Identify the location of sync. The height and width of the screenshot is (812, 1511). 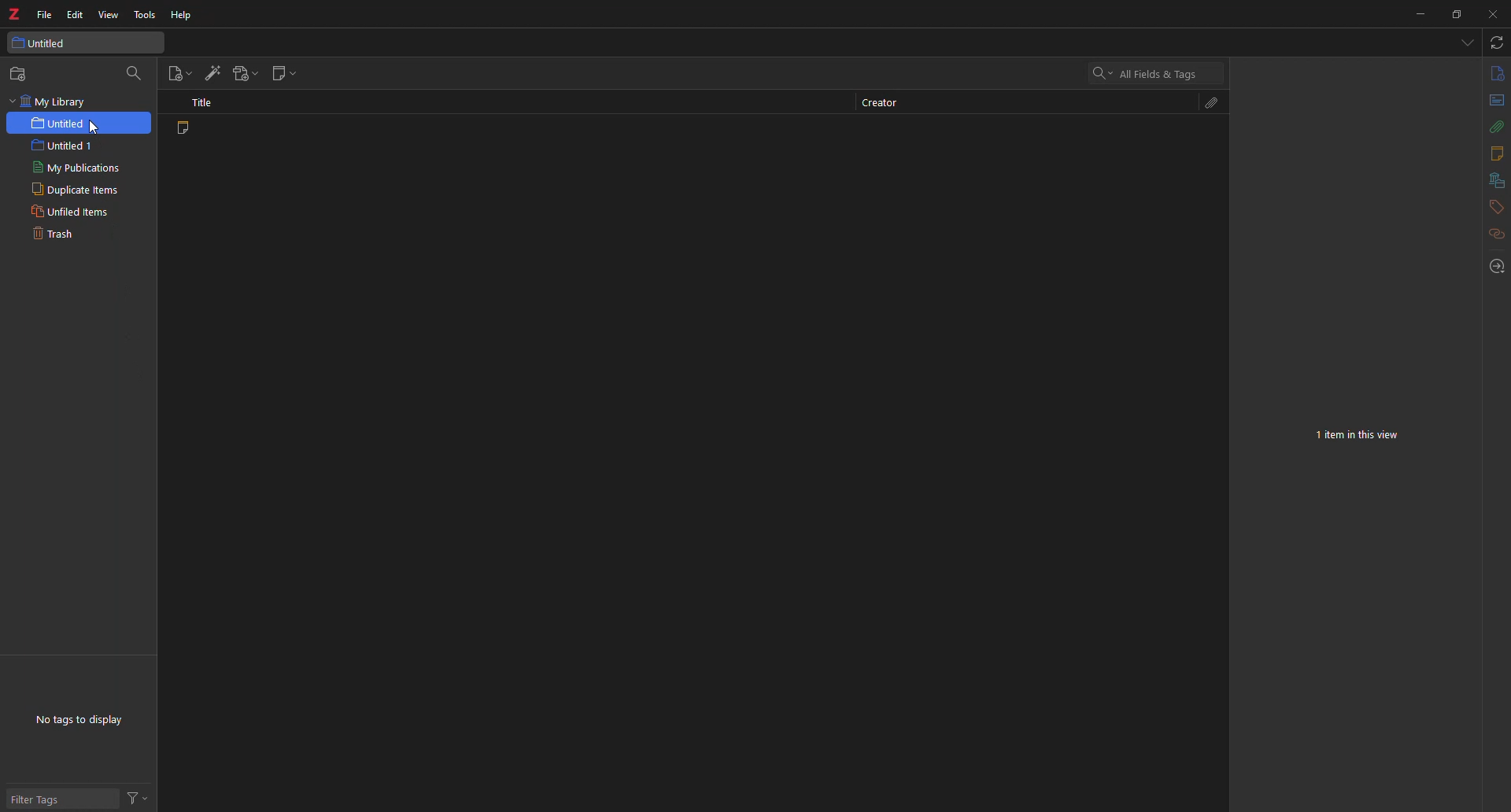
(1495, 42).